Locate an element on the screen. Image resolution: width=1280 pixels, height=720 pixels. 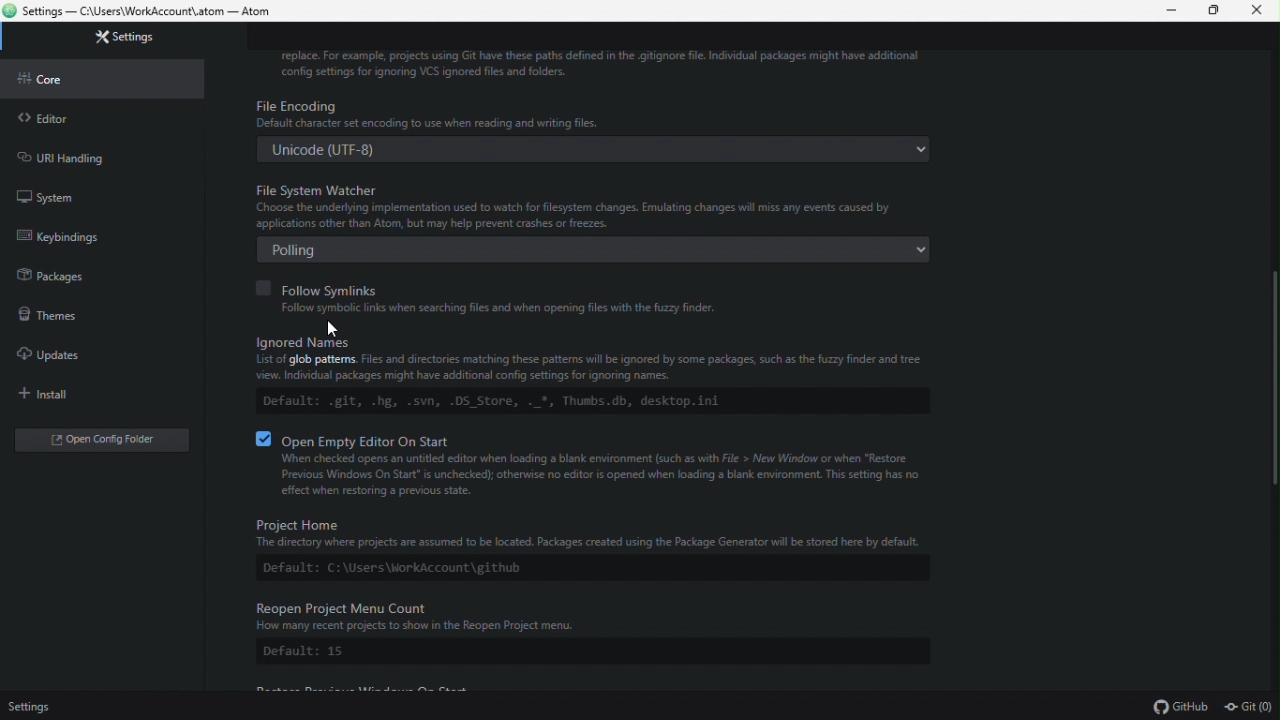
Project Home The directory where projects are assumed to be located. Packages created using the Package Generator will be stored here by default. is located at coordinates (585, 533).